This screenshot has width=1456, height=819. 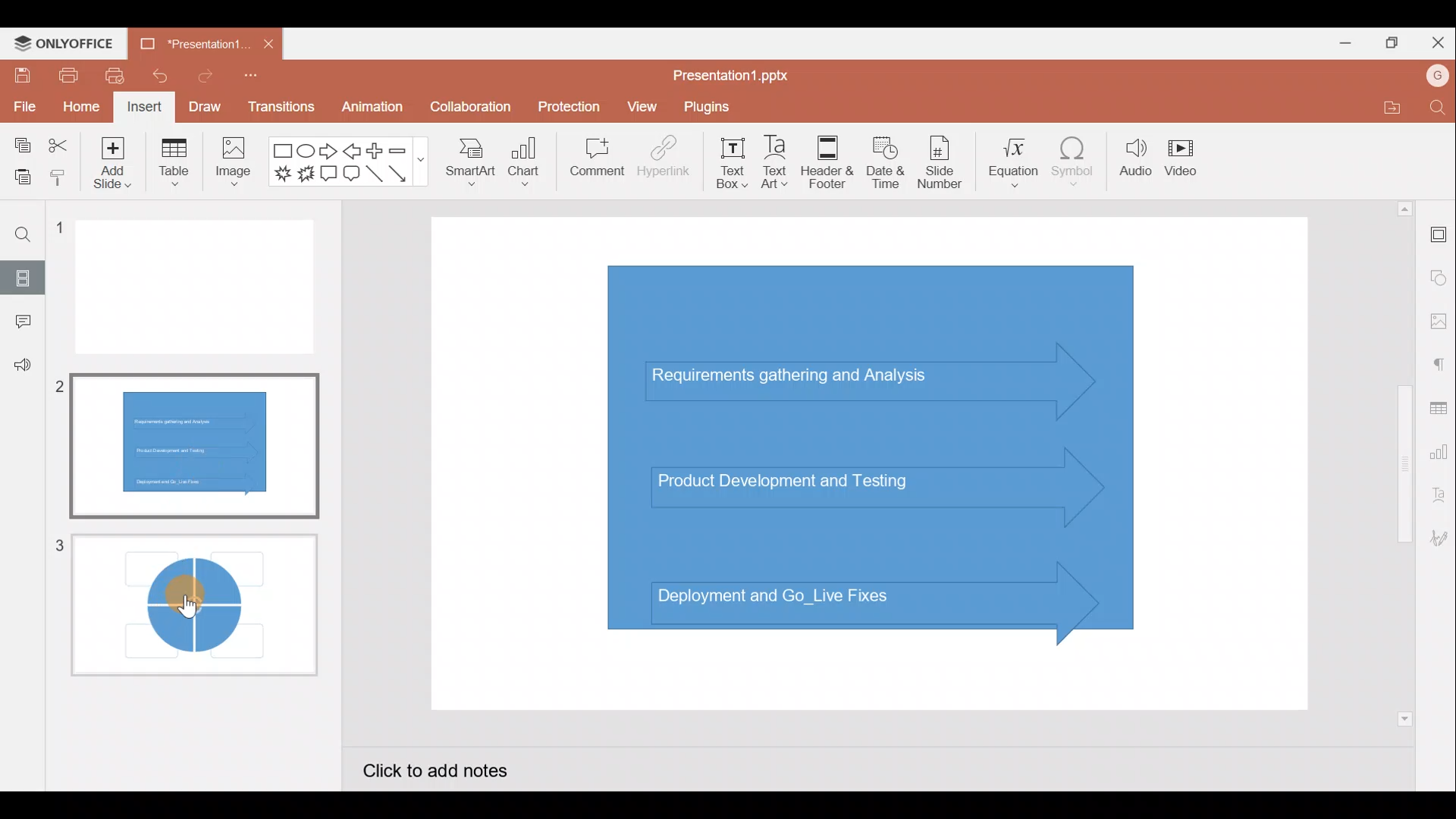 I want to click on Protection, so click(x=566, y=103).